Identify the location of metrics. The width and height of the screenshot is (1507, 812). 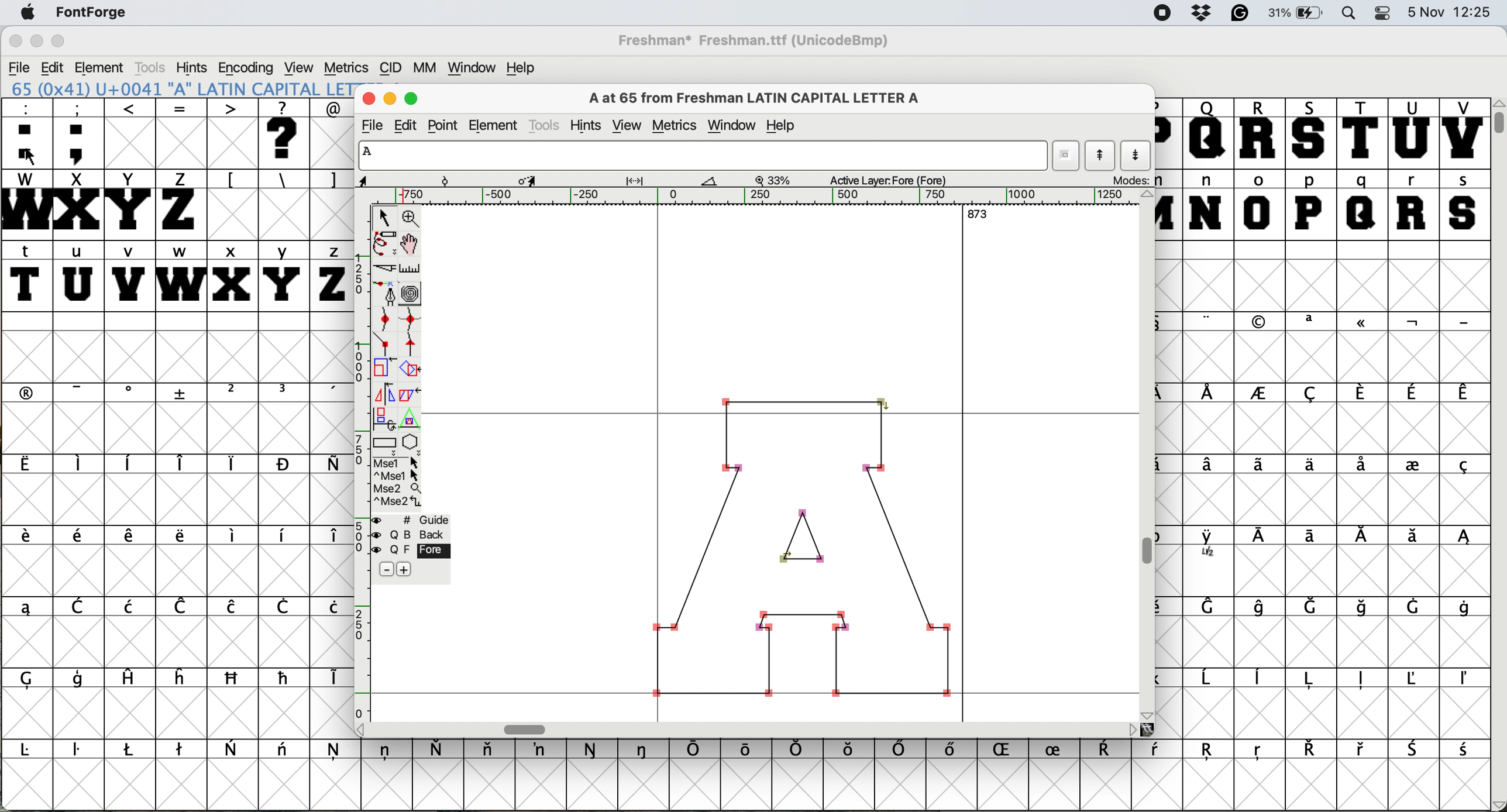
(345, 67).